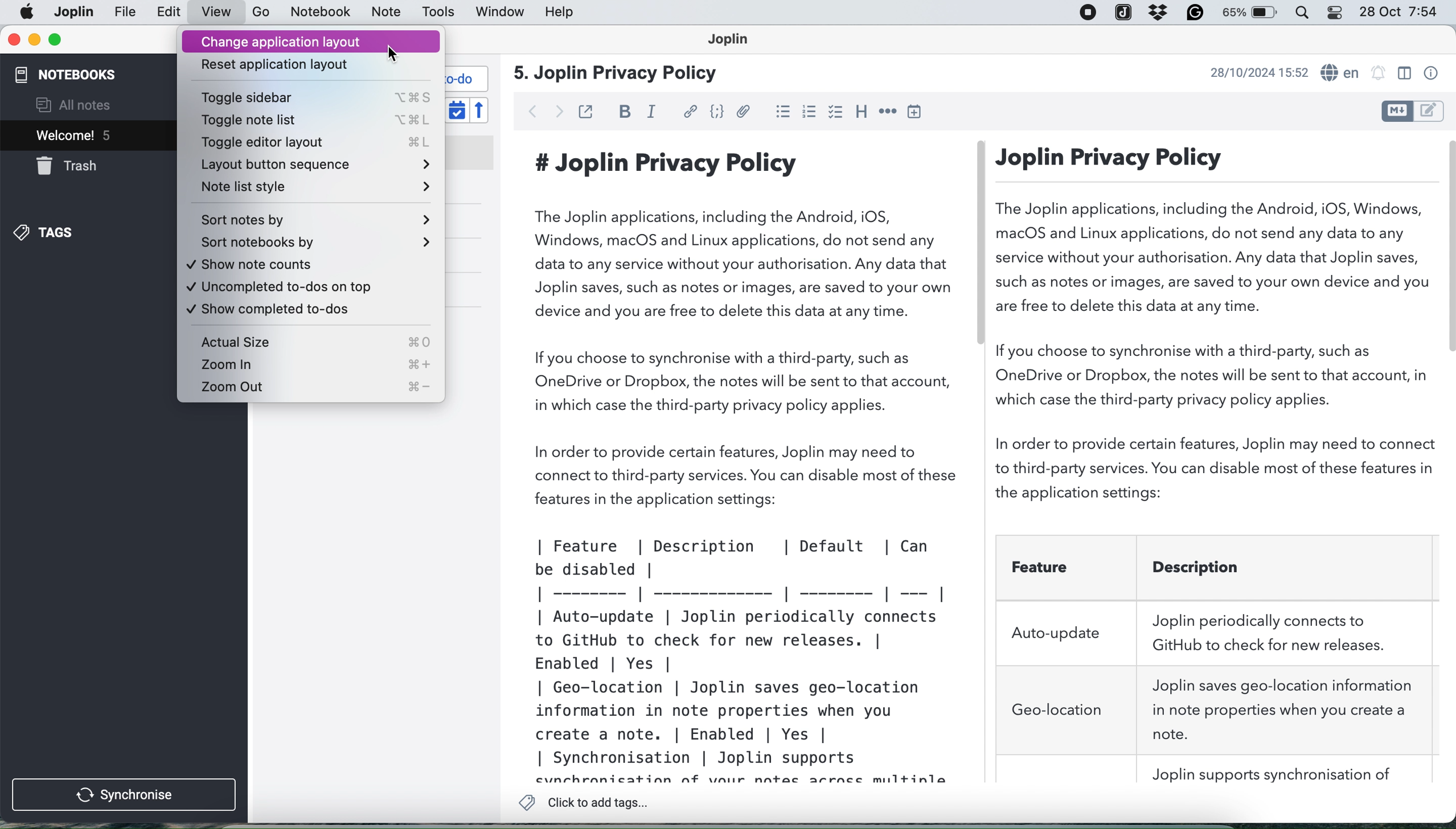  Describe the element at coordinates (561, 13) in the screenshot. I see `help` at that location.